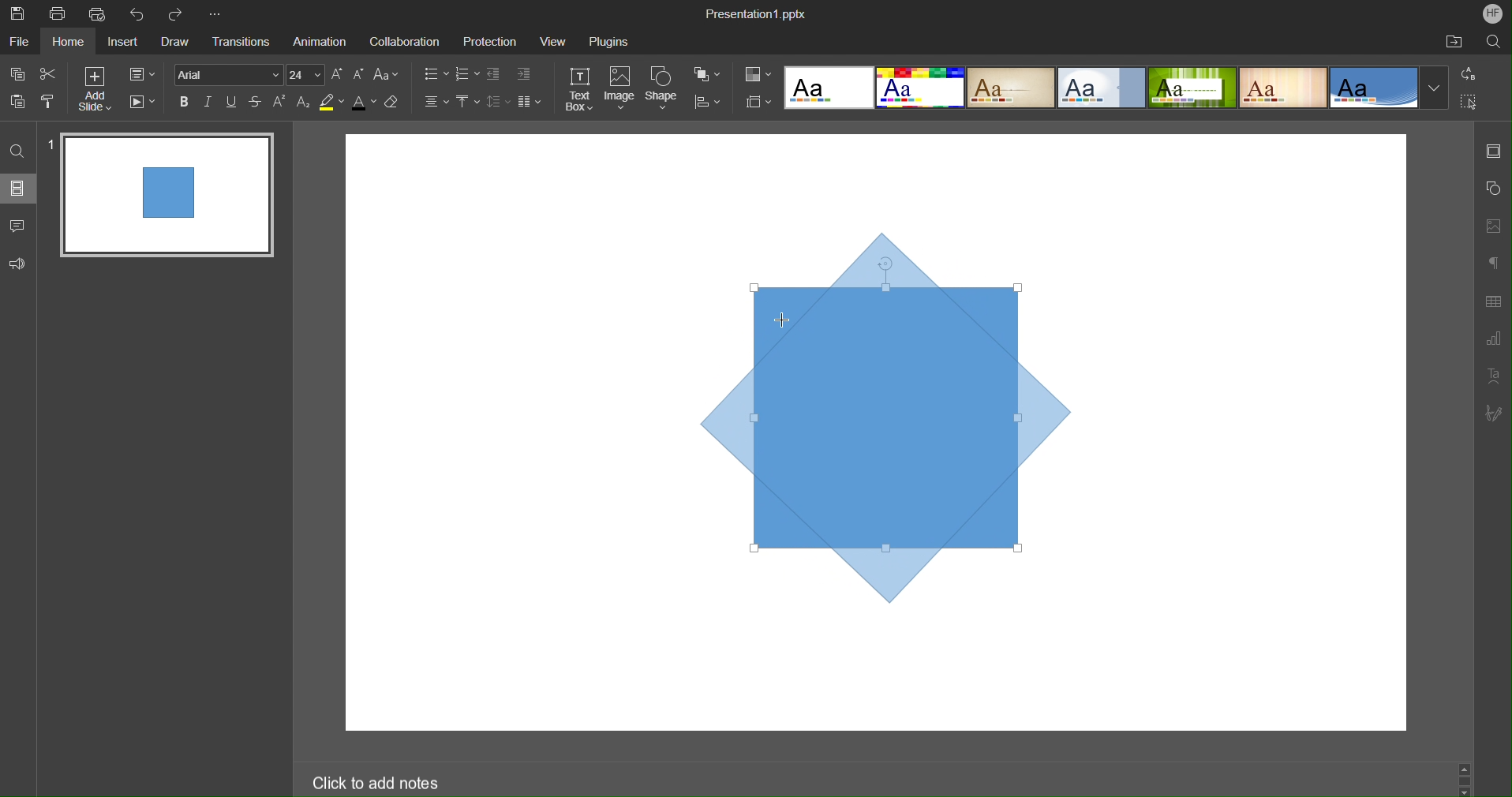 This screenshot has height=797, width=1512. Describe the element at coordinates (1491, 189) in the screenshot. I see `Shape Settings` at that location.